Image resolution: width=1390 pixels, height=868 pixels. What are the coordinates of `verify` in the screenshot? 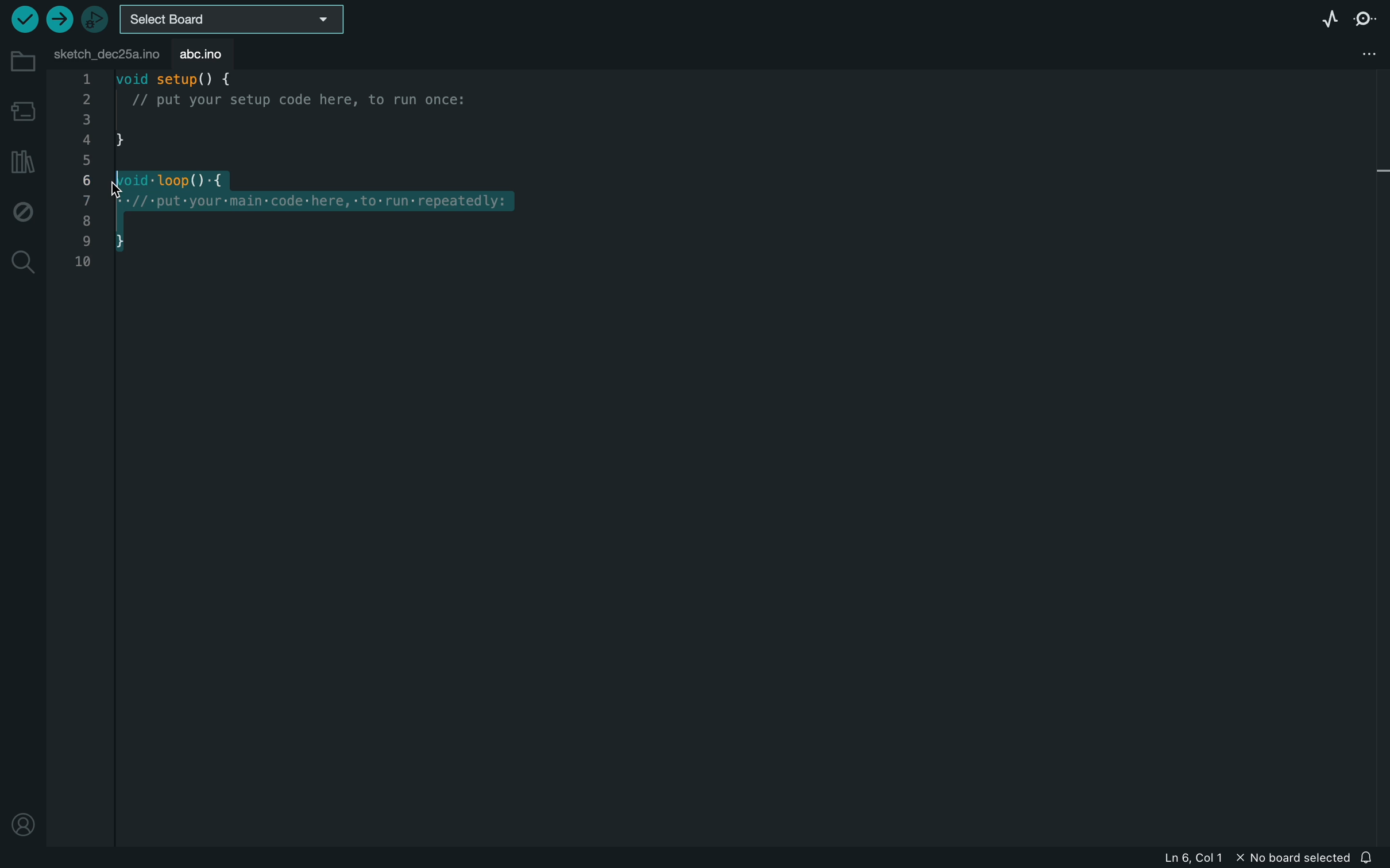 It's located at (23, 18).